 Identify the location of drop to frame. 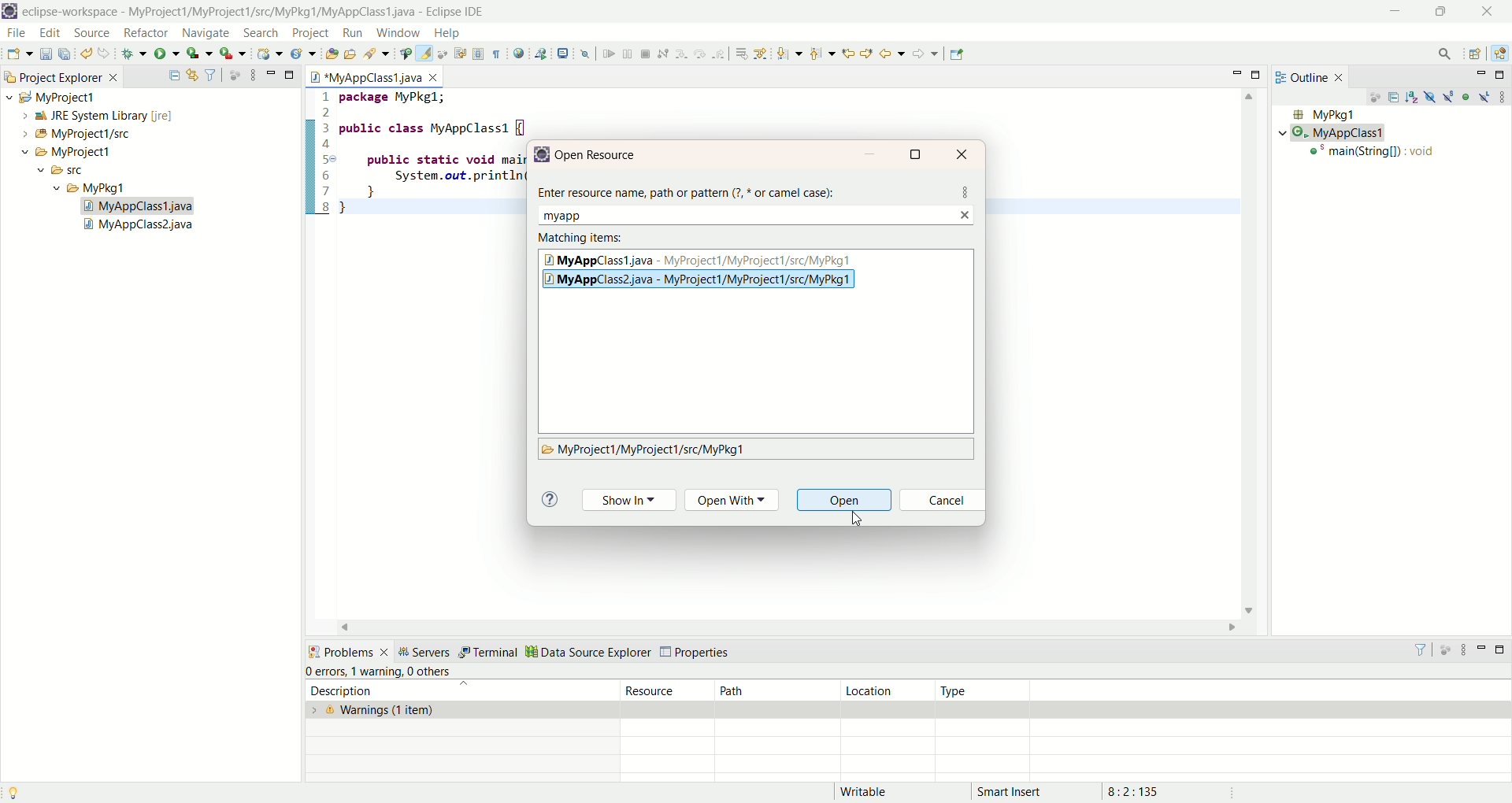
(740, 54).